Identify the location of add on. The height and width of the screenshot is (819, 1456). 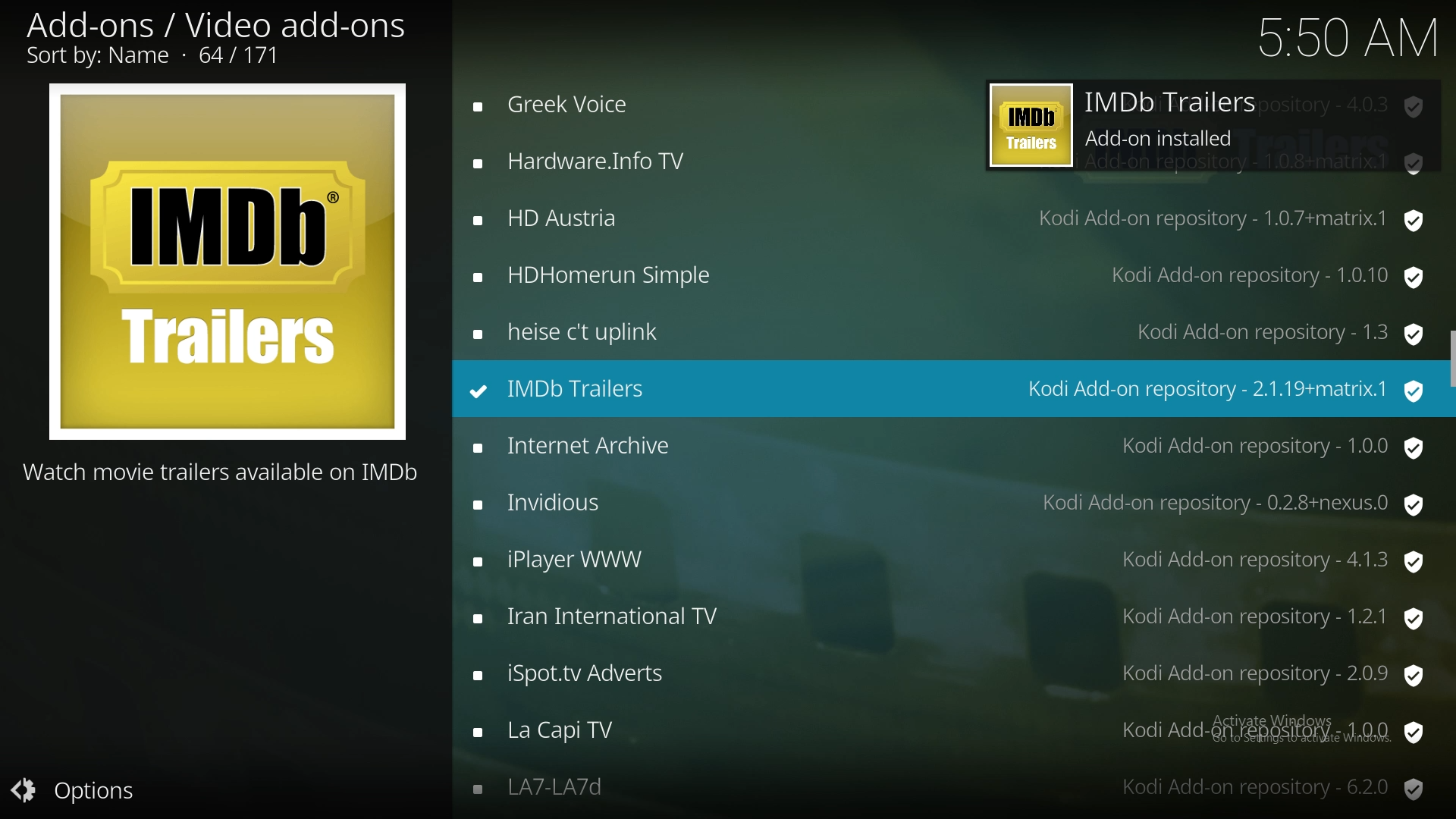
(949, 447).